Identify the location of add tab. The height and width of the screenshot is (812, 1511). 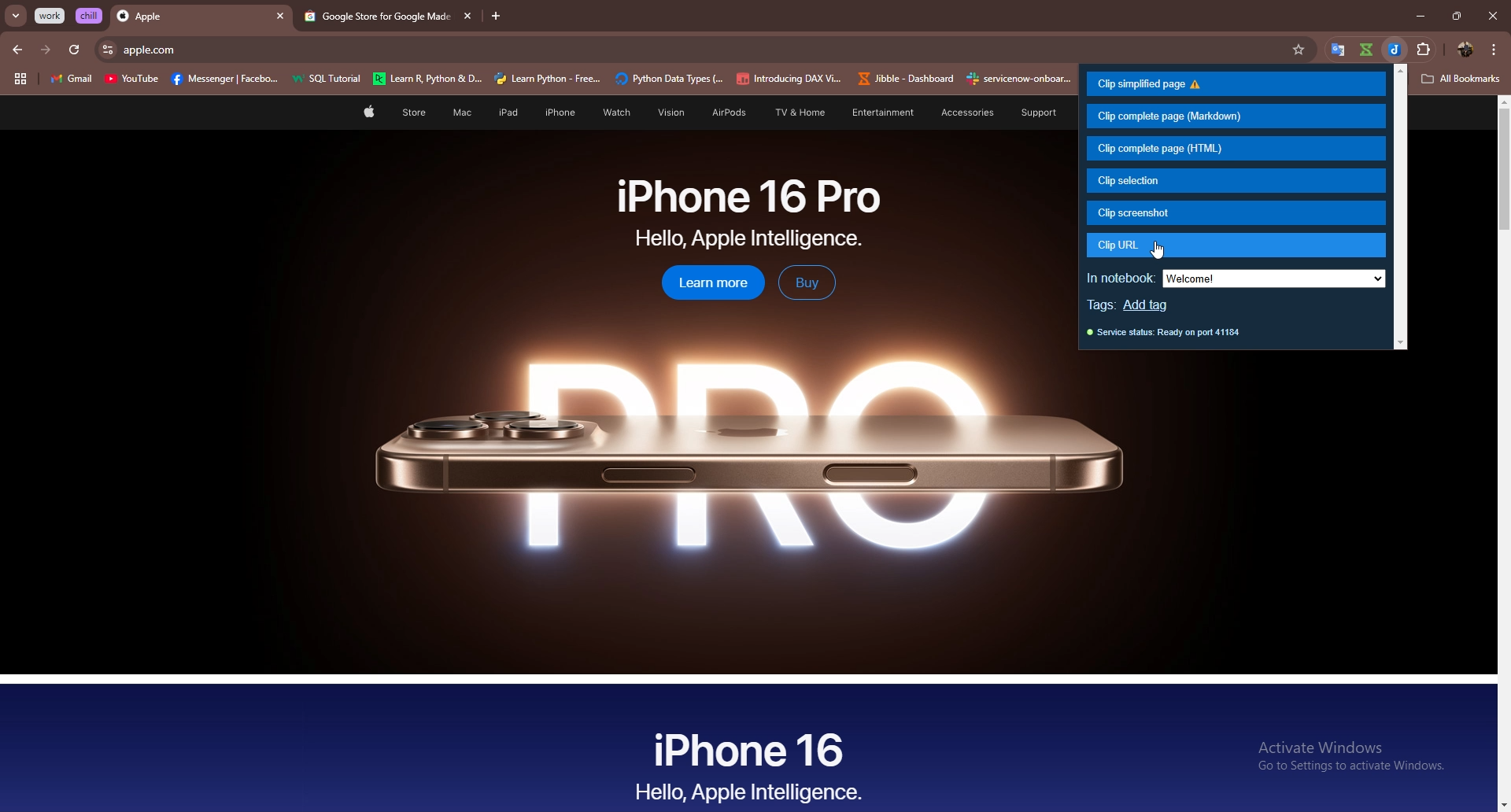
(497, 17).